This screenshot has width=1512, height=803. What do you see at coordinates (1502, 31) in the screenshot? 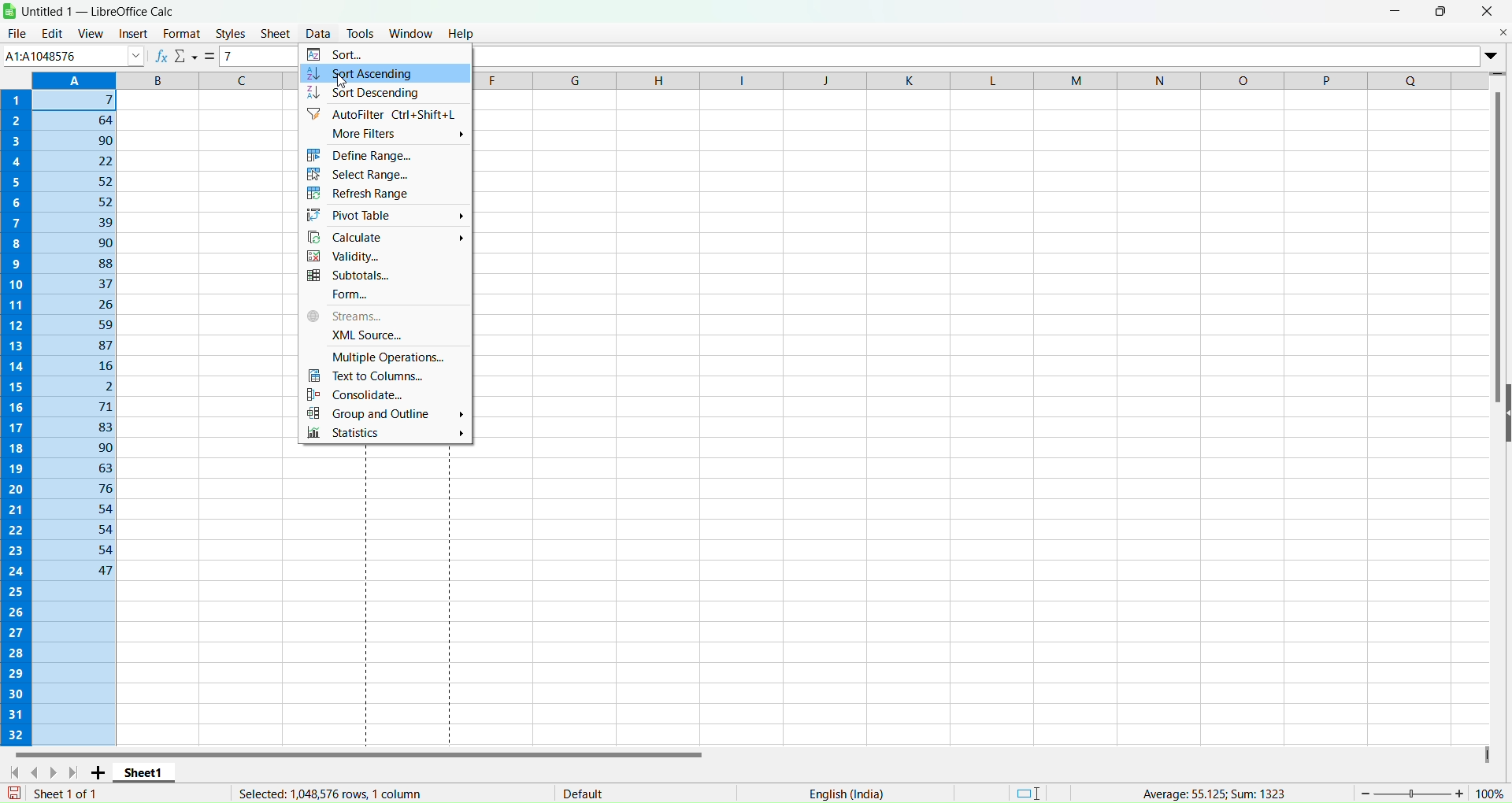
I see `Close Document` at bounding box center [1502, 31].